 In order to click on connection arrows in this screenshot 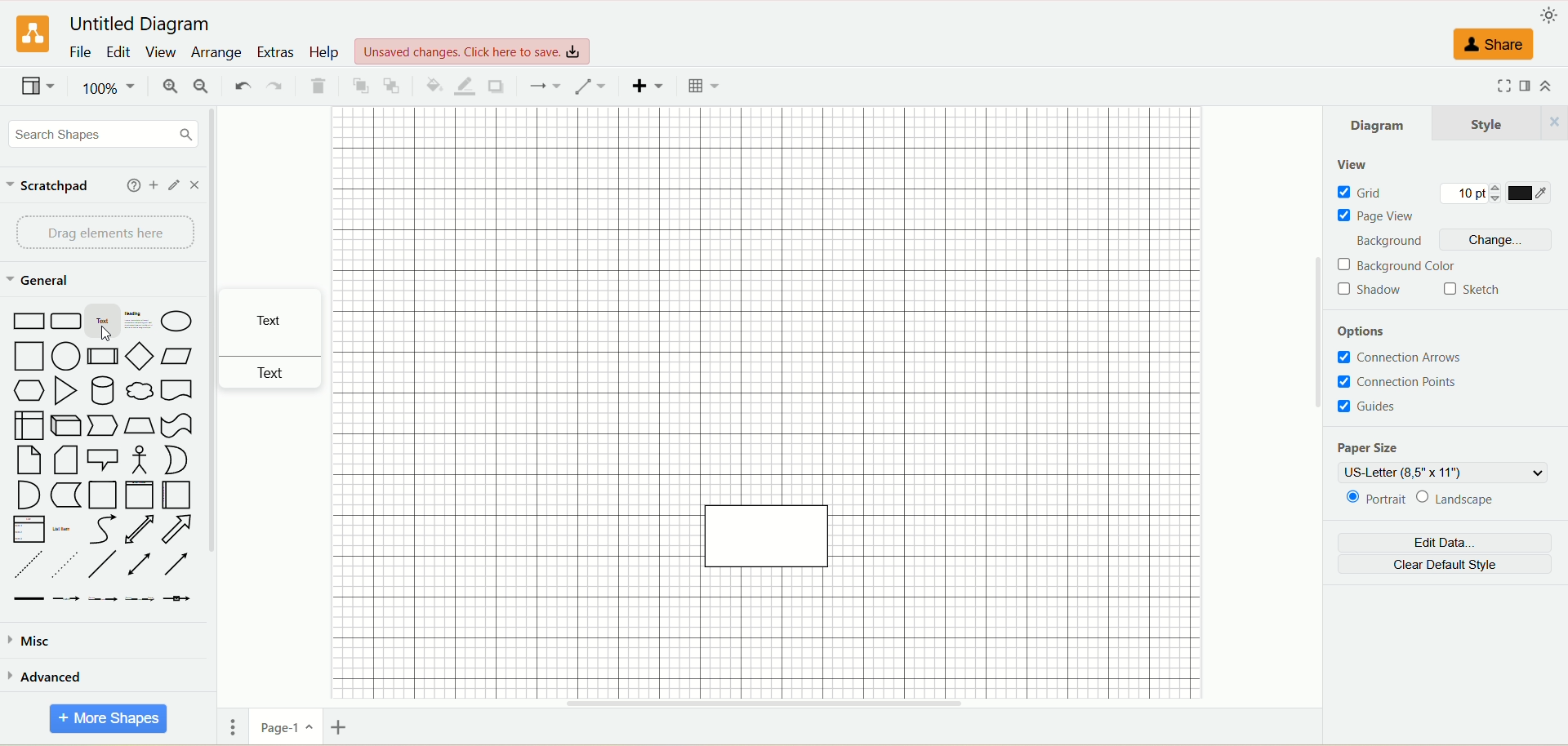, I will do `click(1405, 357)`.